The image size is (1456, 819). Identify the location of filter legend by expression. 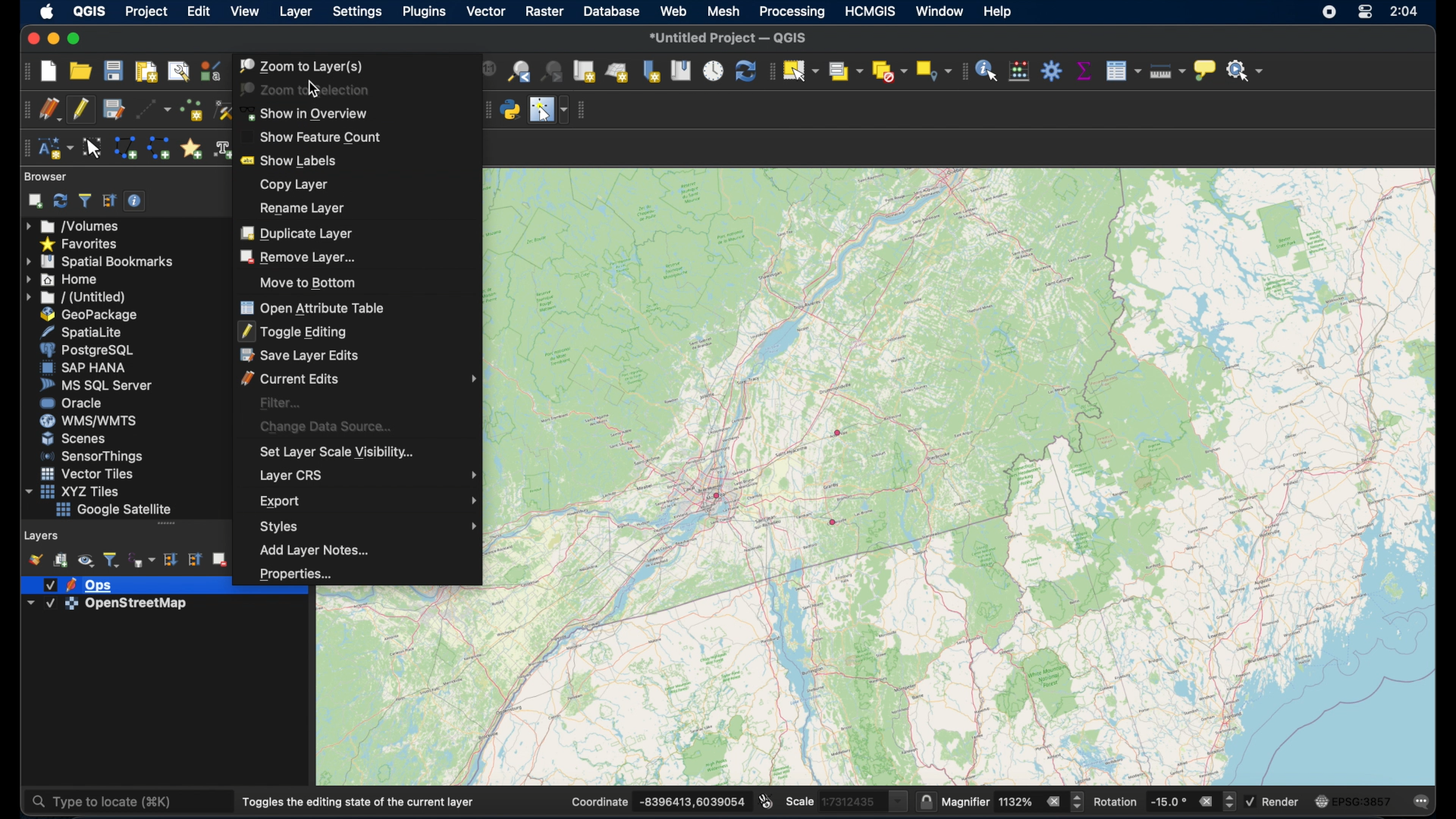
(142, 560).